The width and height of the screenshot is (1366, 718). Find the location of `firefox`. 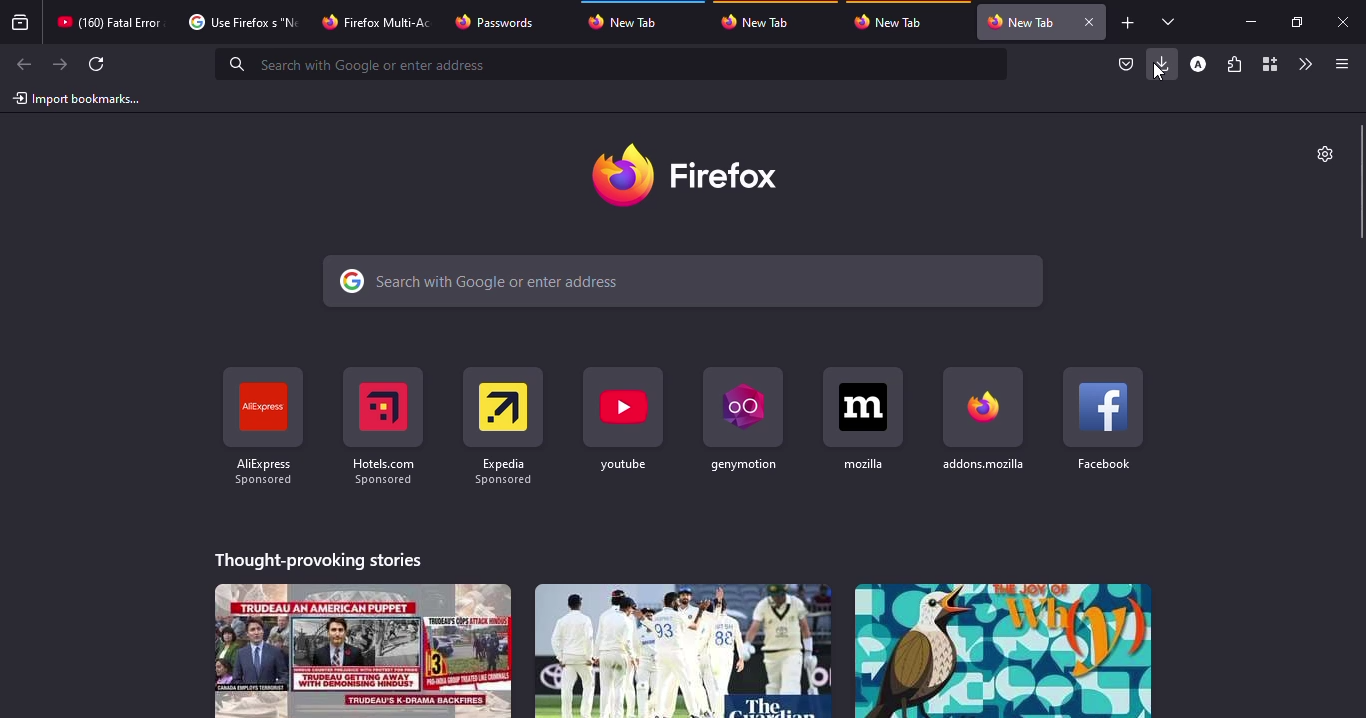

firefox is located at coordinates (691, 175).